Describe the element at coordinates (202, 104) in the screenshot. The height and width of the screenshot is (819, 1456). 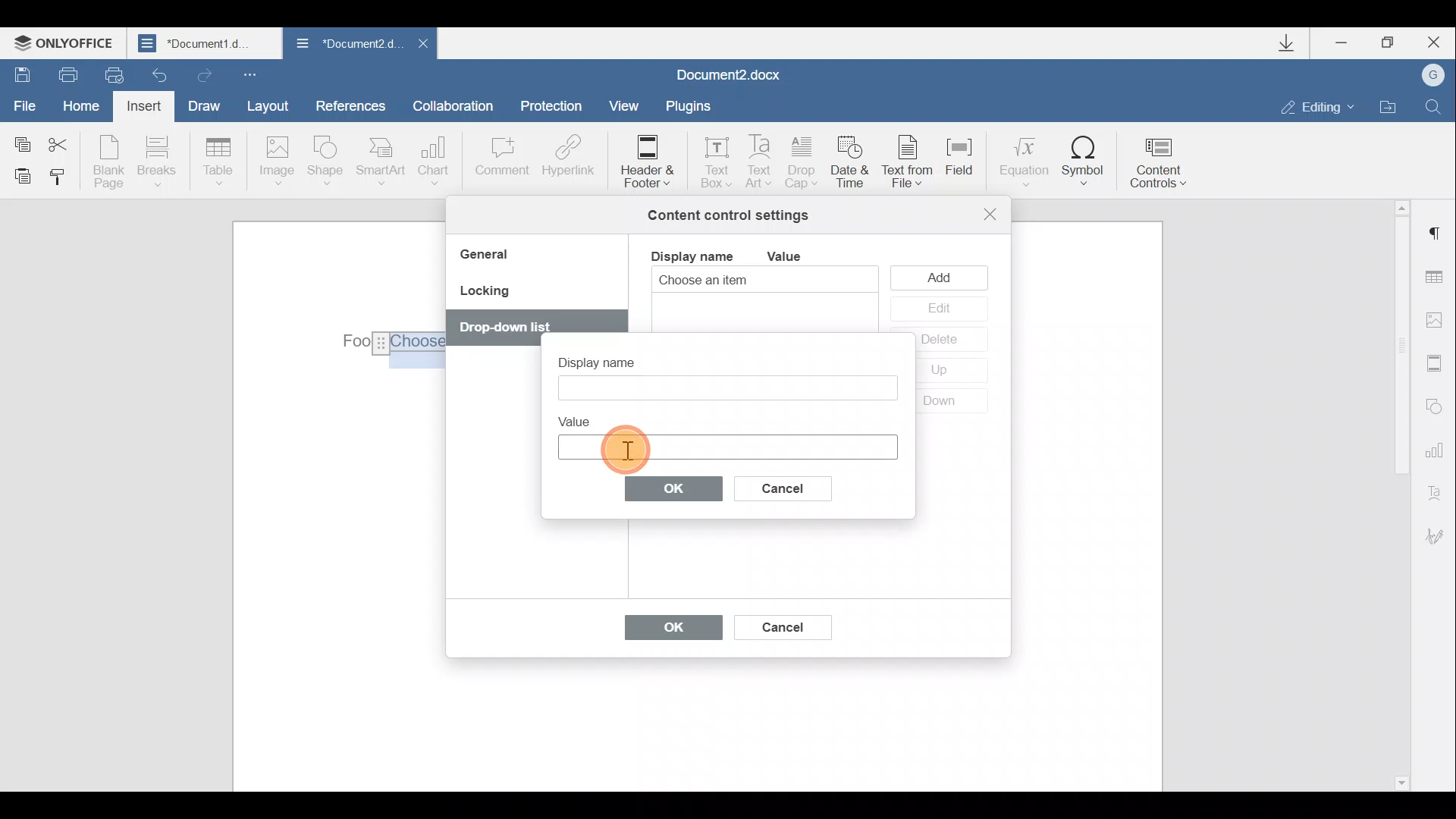
I see `Draw` at that location.